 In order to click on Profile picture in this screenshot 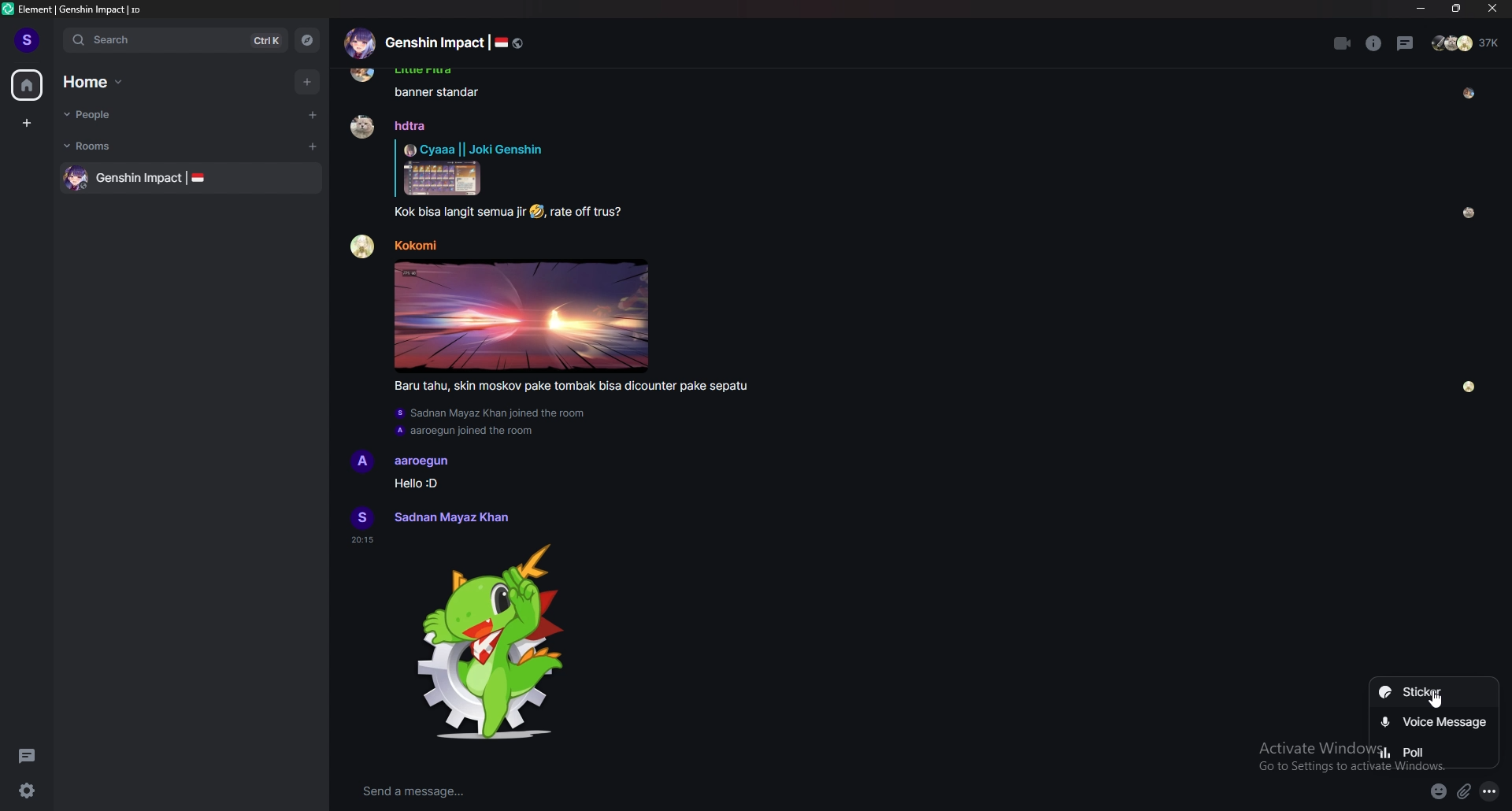, I will do `click(362, 461)`.